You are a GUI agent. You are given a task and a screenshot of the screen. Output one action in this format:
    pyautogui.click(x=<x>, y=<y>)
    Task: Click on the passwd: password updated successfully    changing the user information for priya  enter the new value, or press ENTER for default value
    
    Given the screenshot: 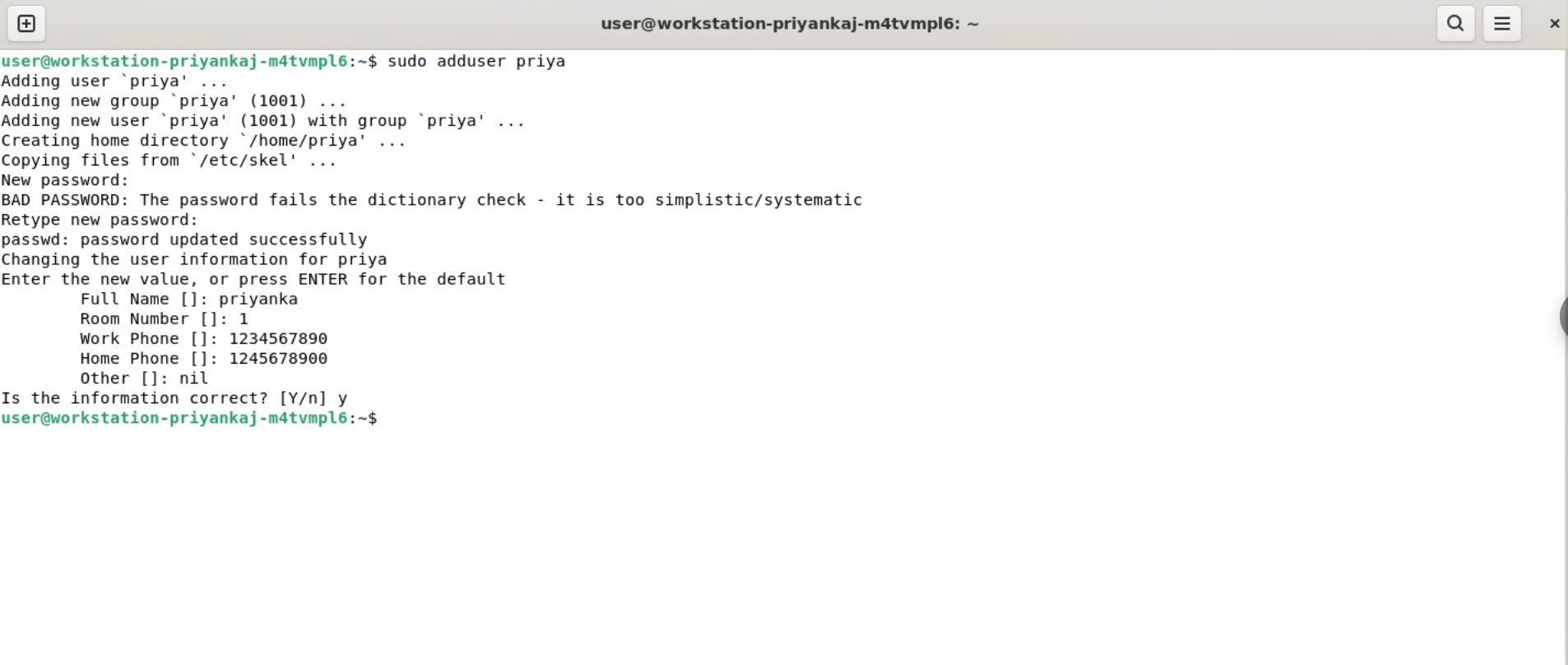 What is the action you would take?
    pyautogui.click(x=295, y=257)
    